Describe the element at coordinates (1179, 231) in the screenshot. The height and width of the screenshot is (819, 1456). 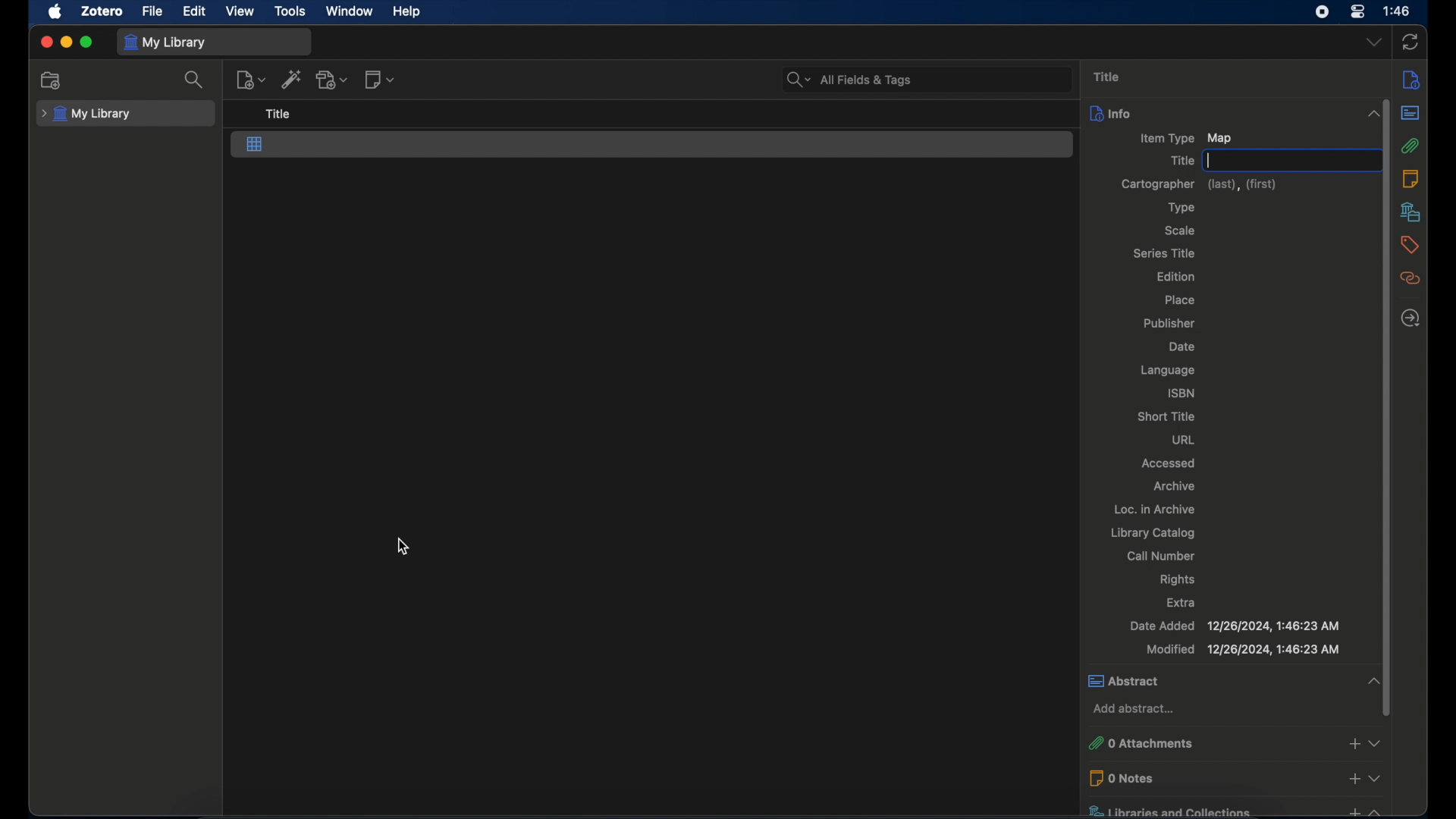
I see `scale` at that location.